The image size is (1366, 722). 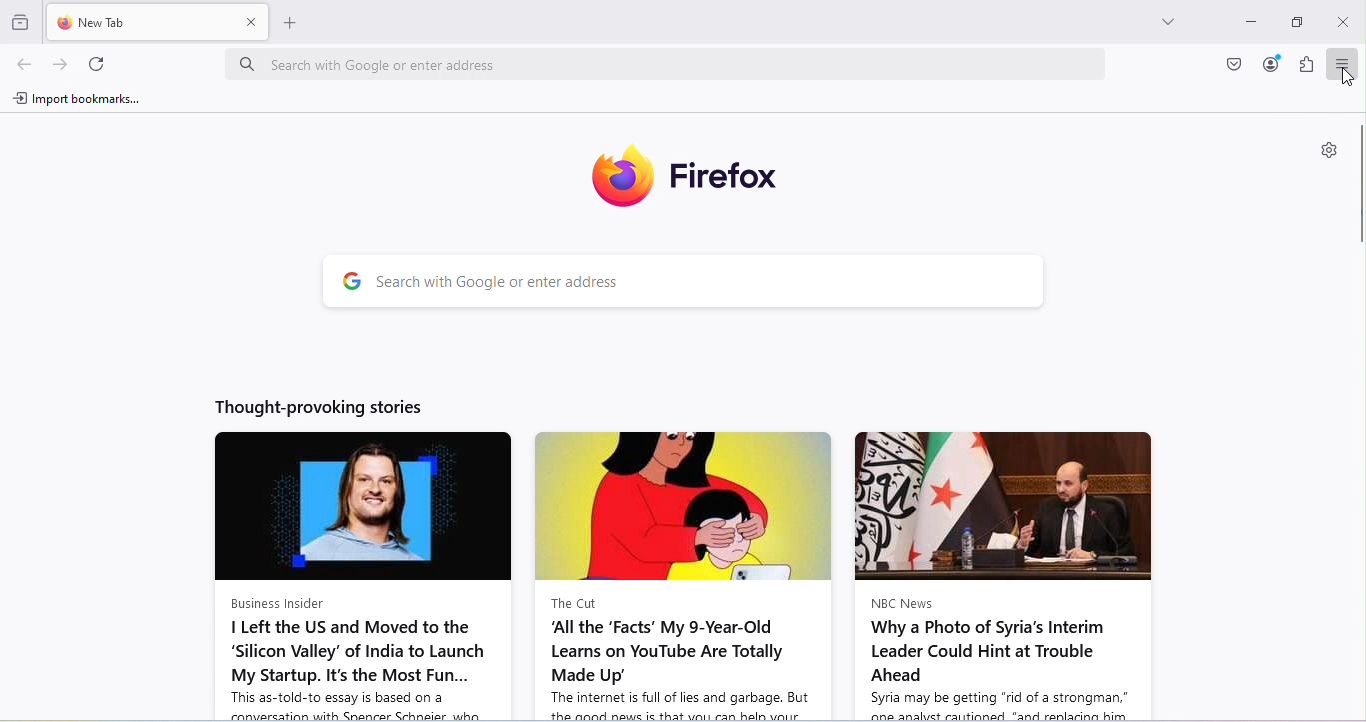 I want to click on View recent browsing across windows and devices, so click(x=22, y=18).